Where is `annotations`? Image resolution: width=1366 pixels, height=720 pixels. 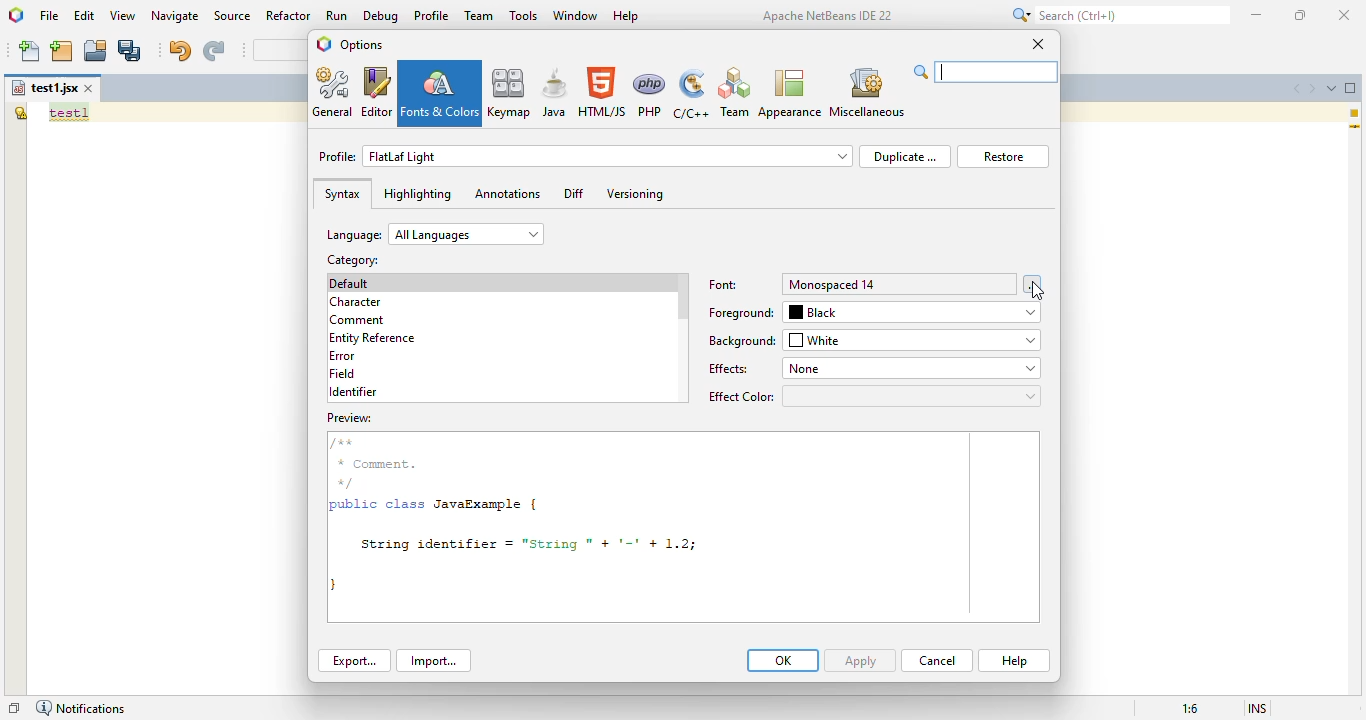
annotations is located at coordinates (507, 194).